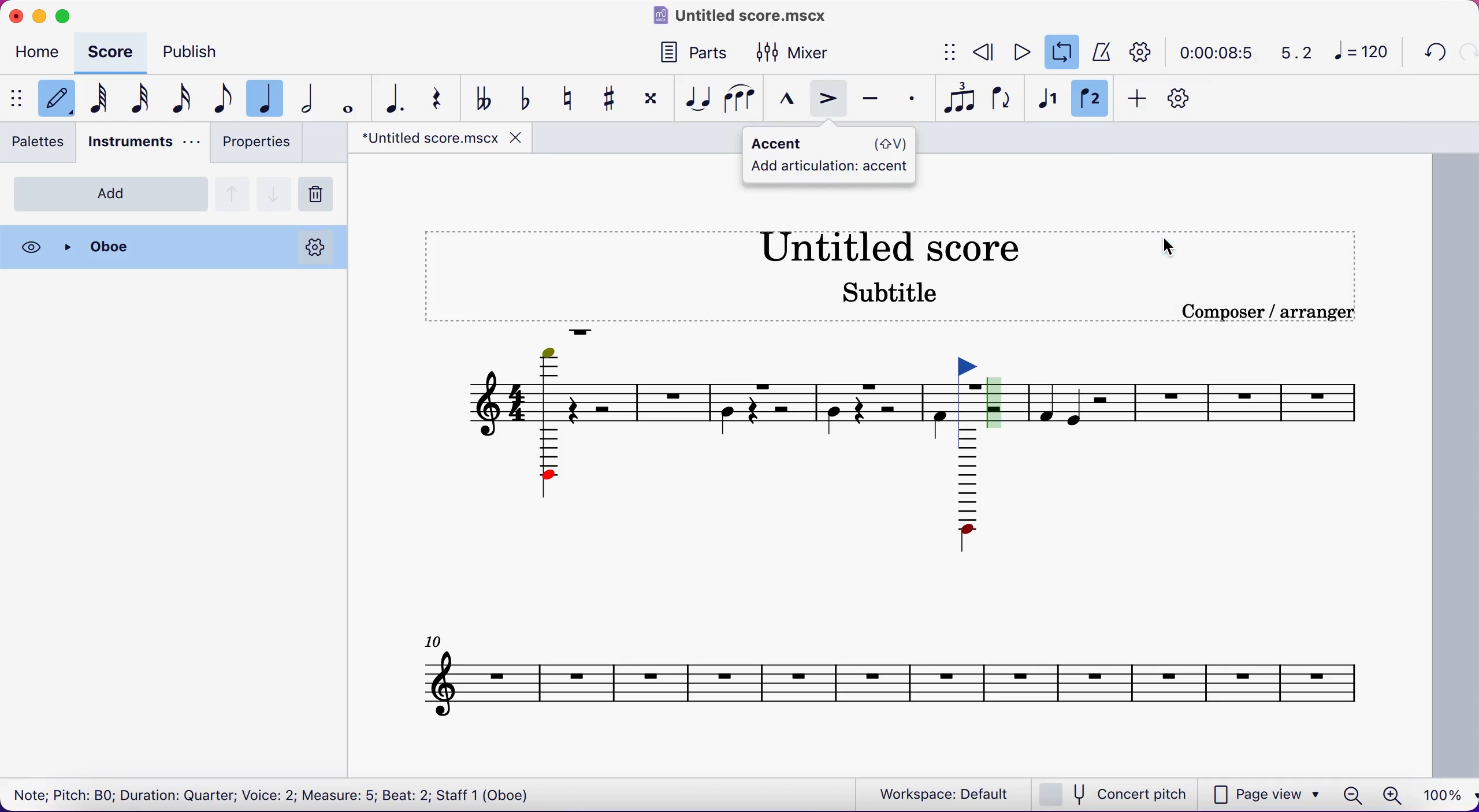  Describe the element at coordinates (1352, 793) in the screenshot. I see `zoom out` at that location.